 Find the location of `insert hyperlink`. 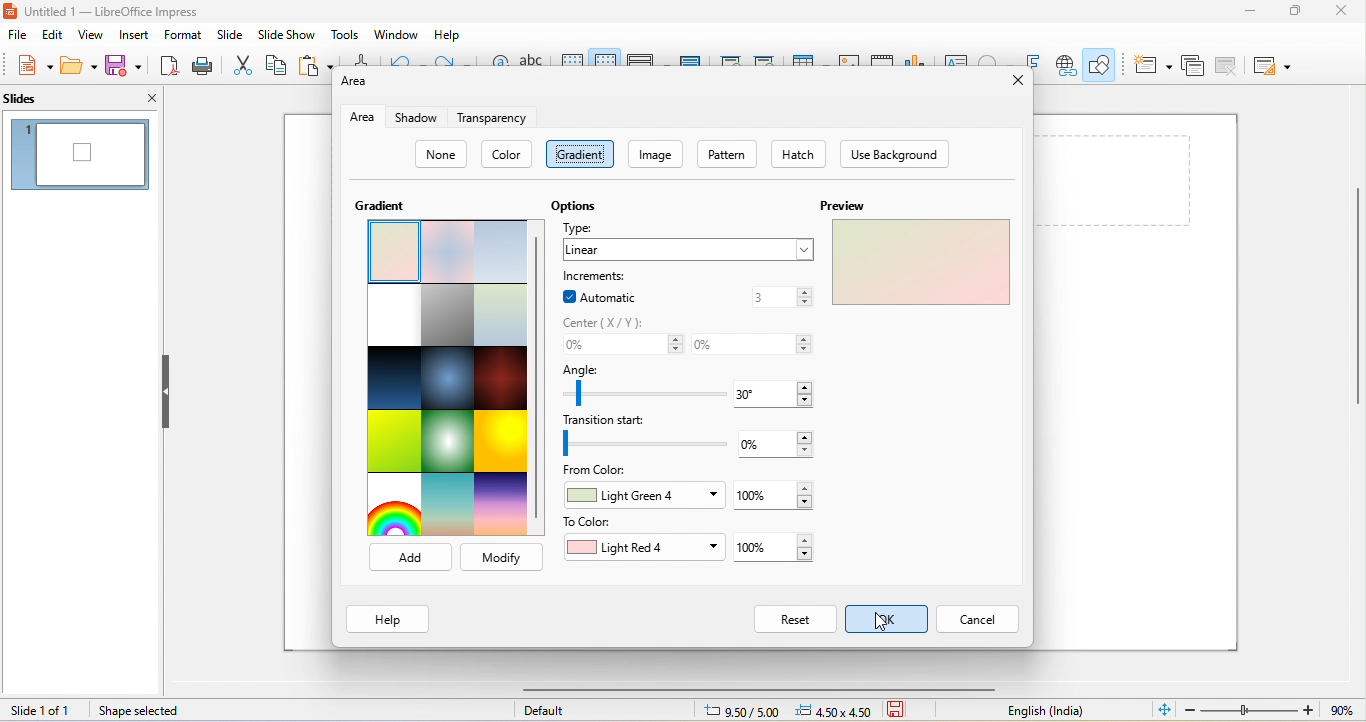

insert hyperlink is located at coordinates (1064, 66).